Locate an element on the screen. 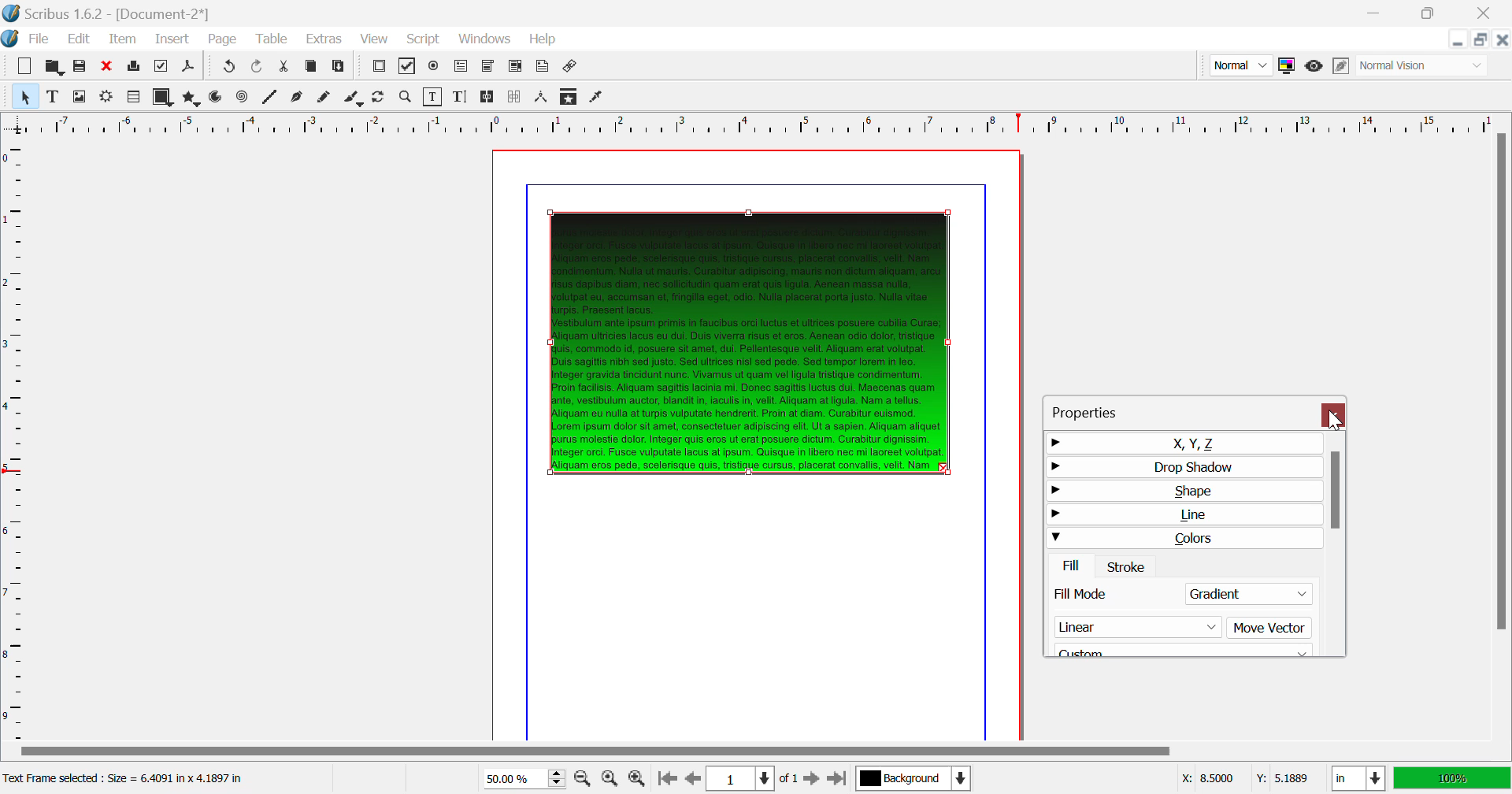 Image resolution: width=1512 pixels, height=794 pixels. Edit Contents of Frame is located at coordinates (434, 97).